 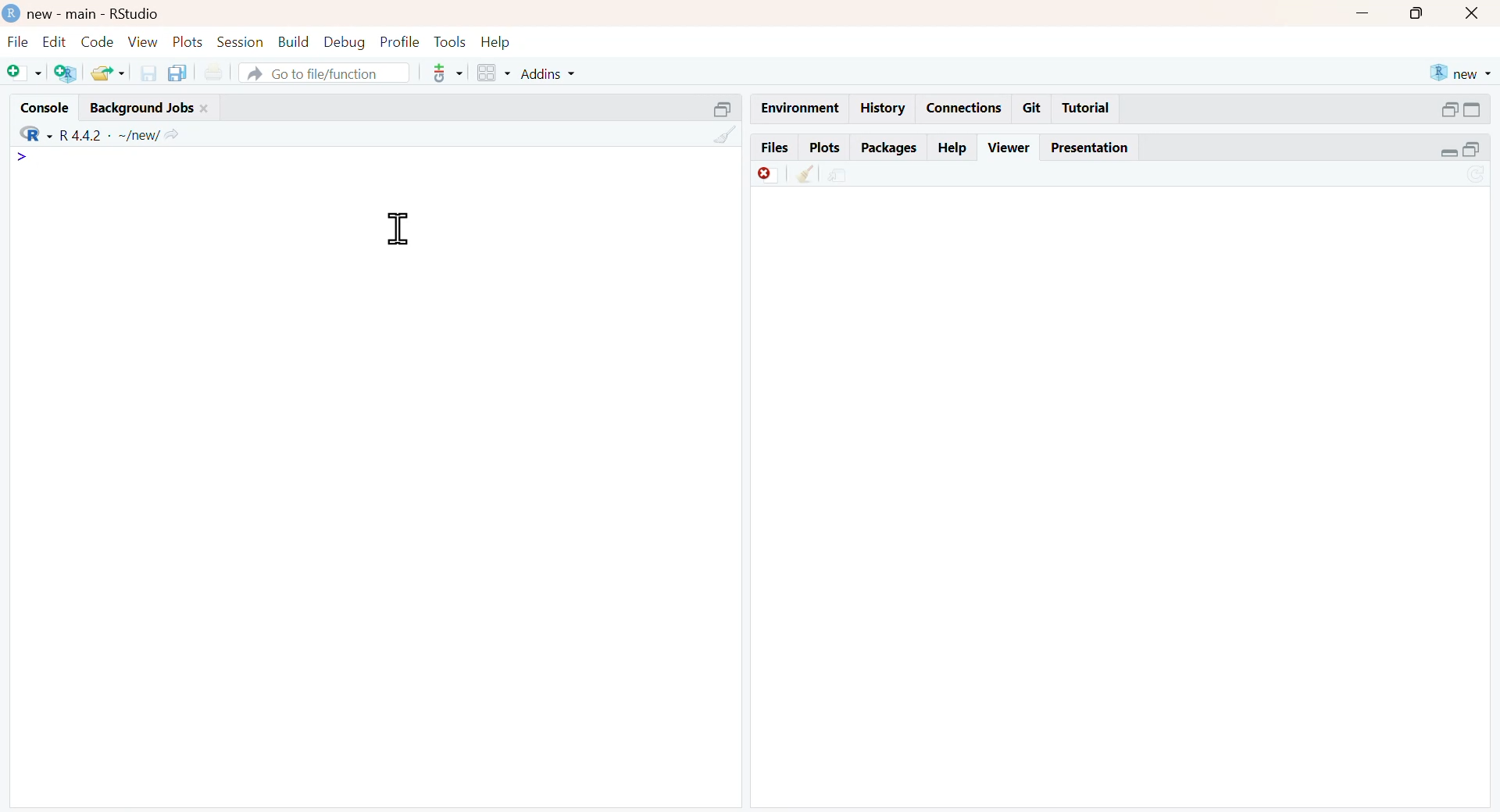 What do you see at coordinates (109, 72) in the screenshot?
I see `Open file` at bounding box center [109, 72].